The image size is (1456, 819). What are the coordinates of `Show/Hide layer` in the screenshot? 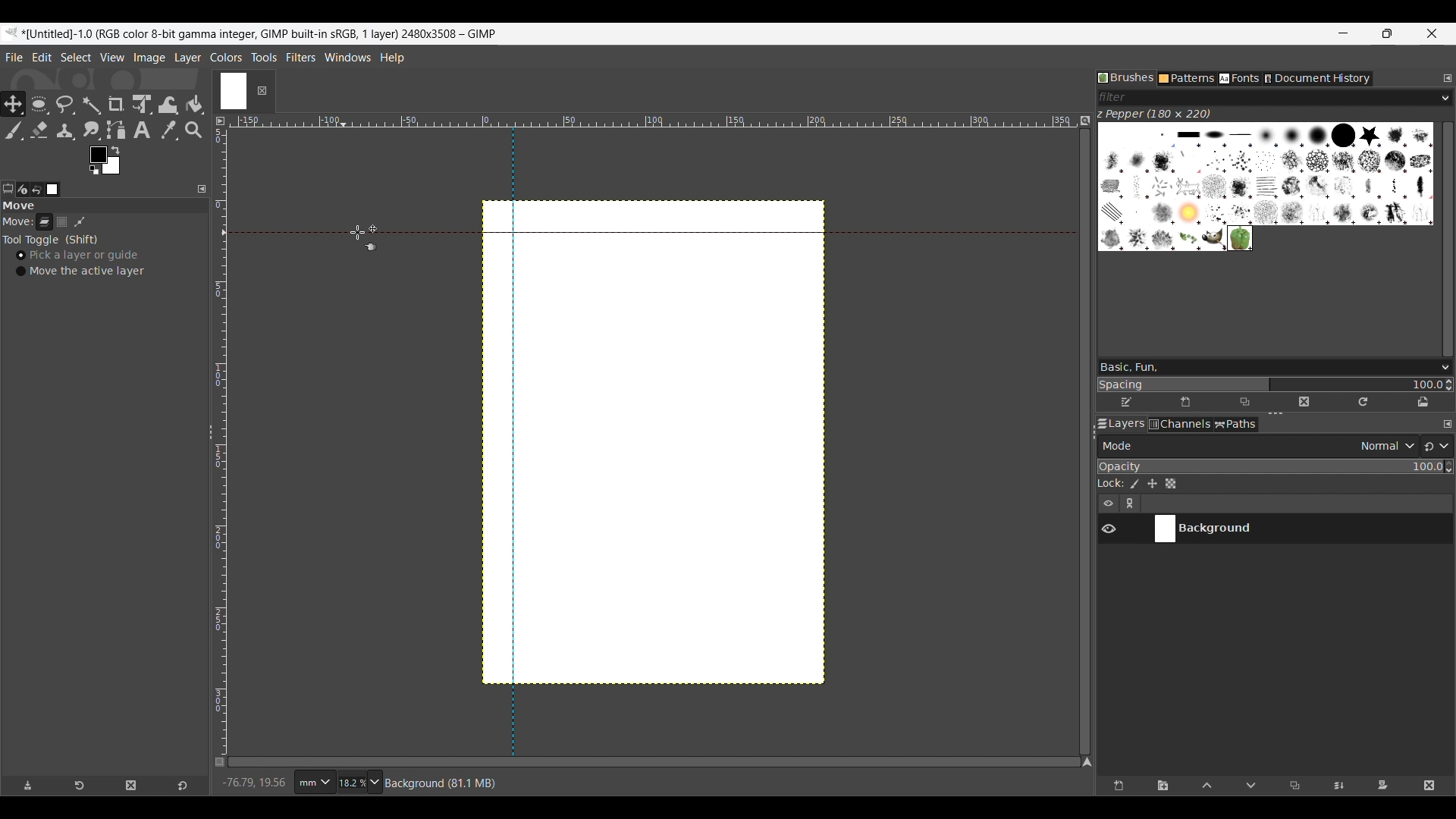 It's located at (1109, 529).